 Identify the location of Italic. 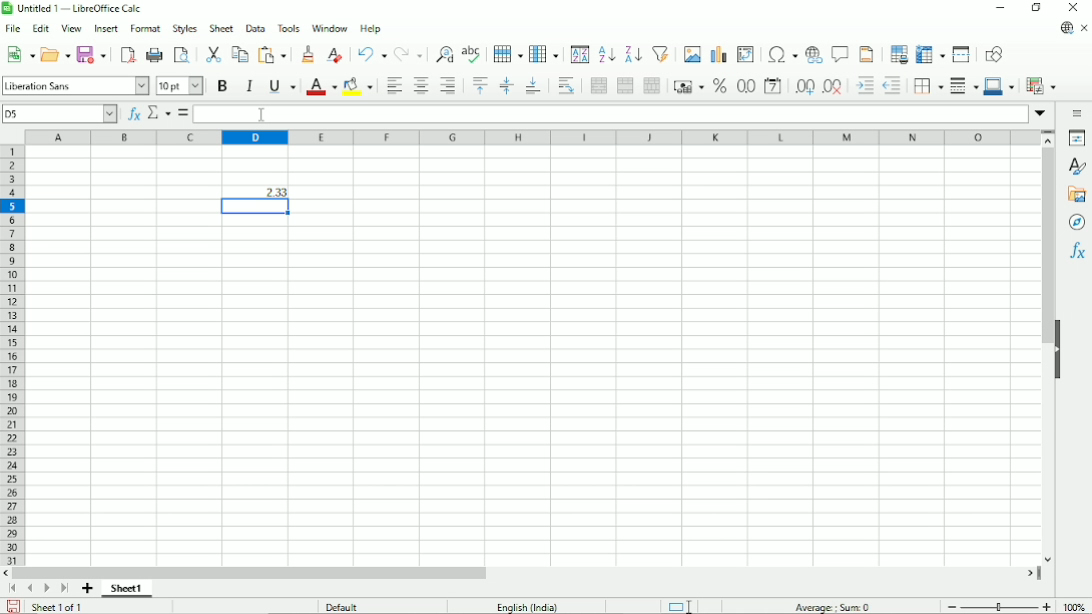
(249, 86).